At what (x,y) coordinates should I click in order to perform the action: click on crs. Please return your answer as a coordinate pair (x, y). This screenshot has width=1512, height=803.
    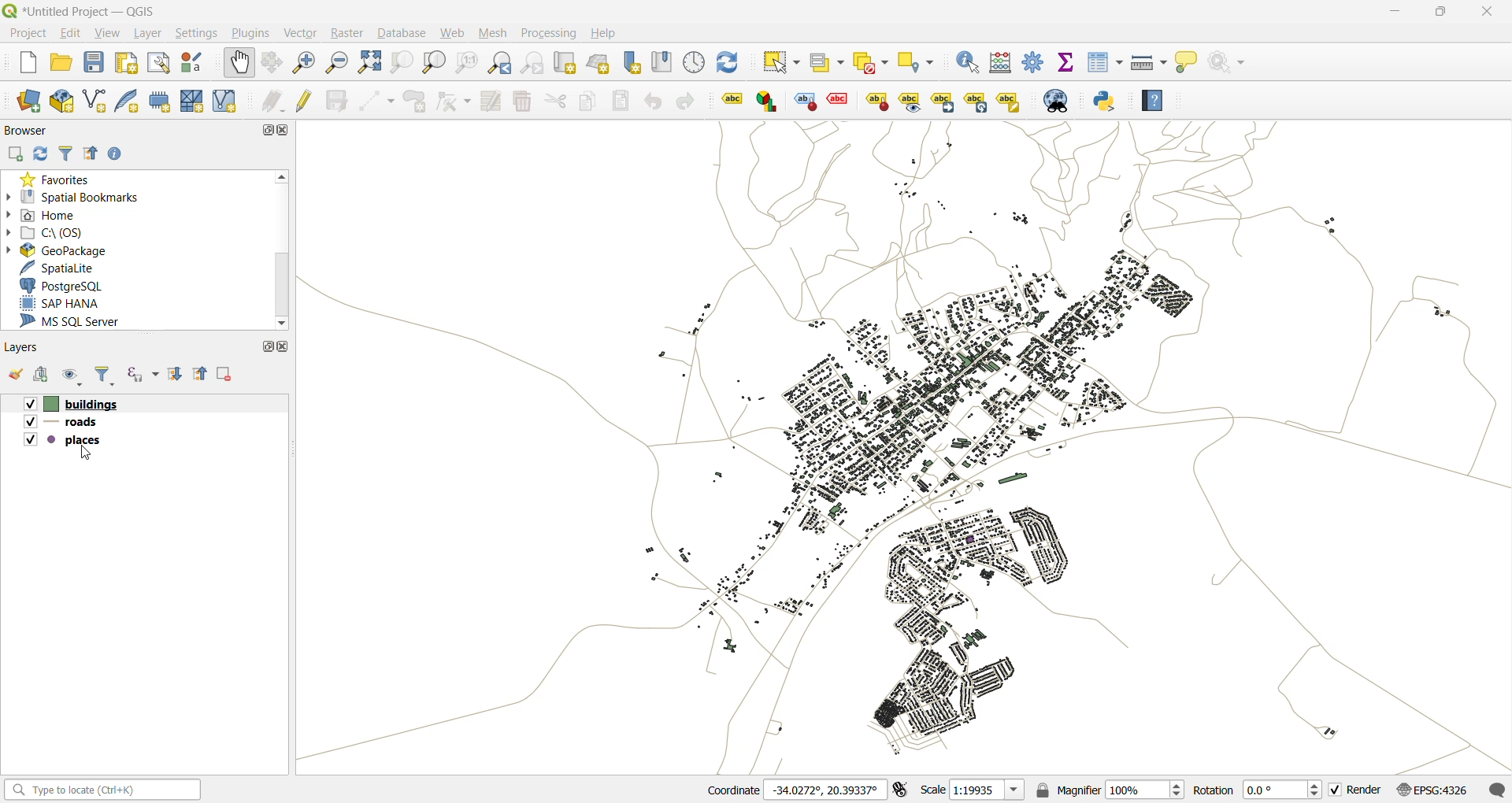
    Looking at the image, I should click on (1430, 790).